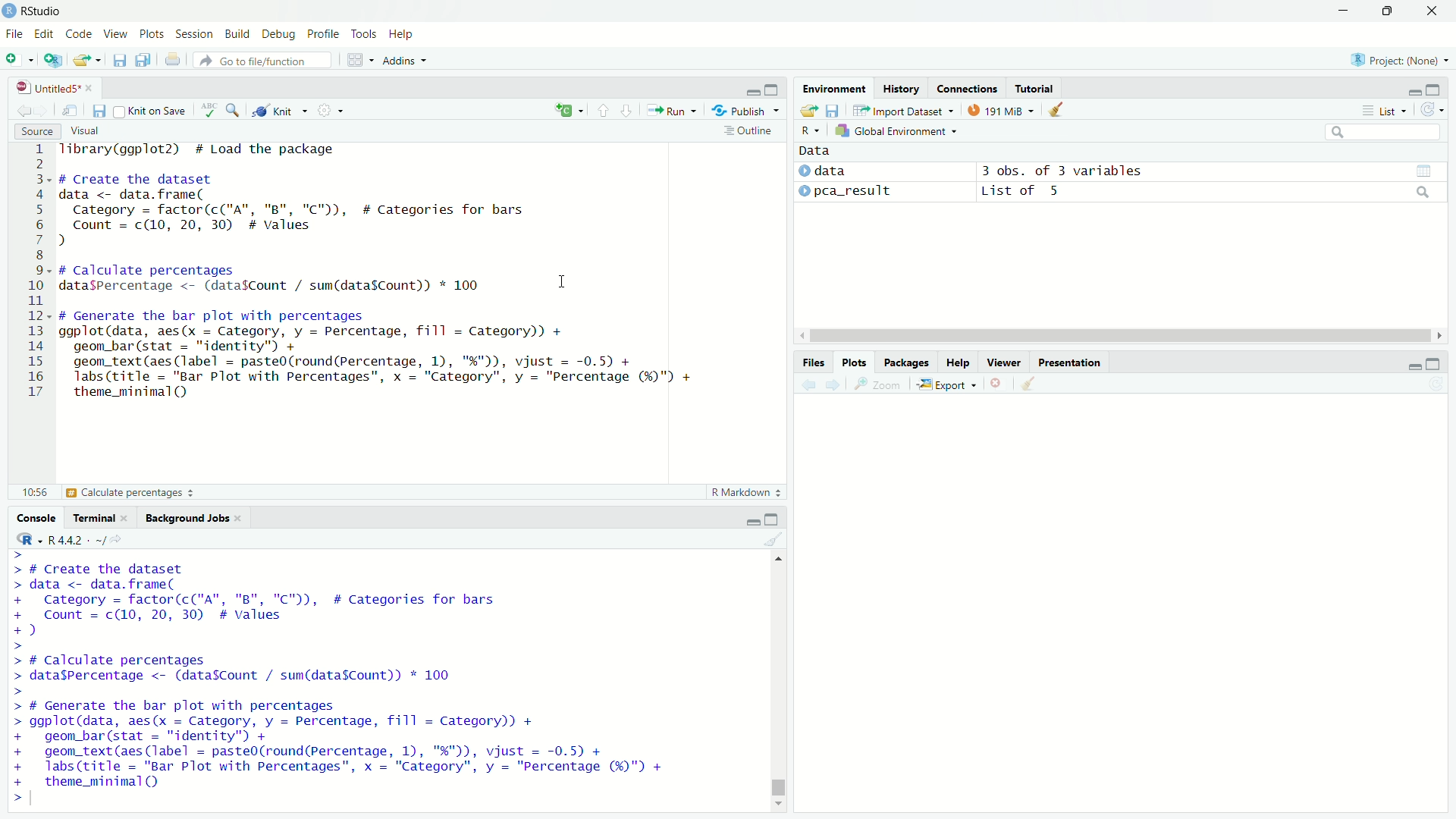 This screenshot has width=1456, height=819. What do you see at coordinates (813, 362) in the screenshot?
I see `Files` at bounding box center [813, 362].